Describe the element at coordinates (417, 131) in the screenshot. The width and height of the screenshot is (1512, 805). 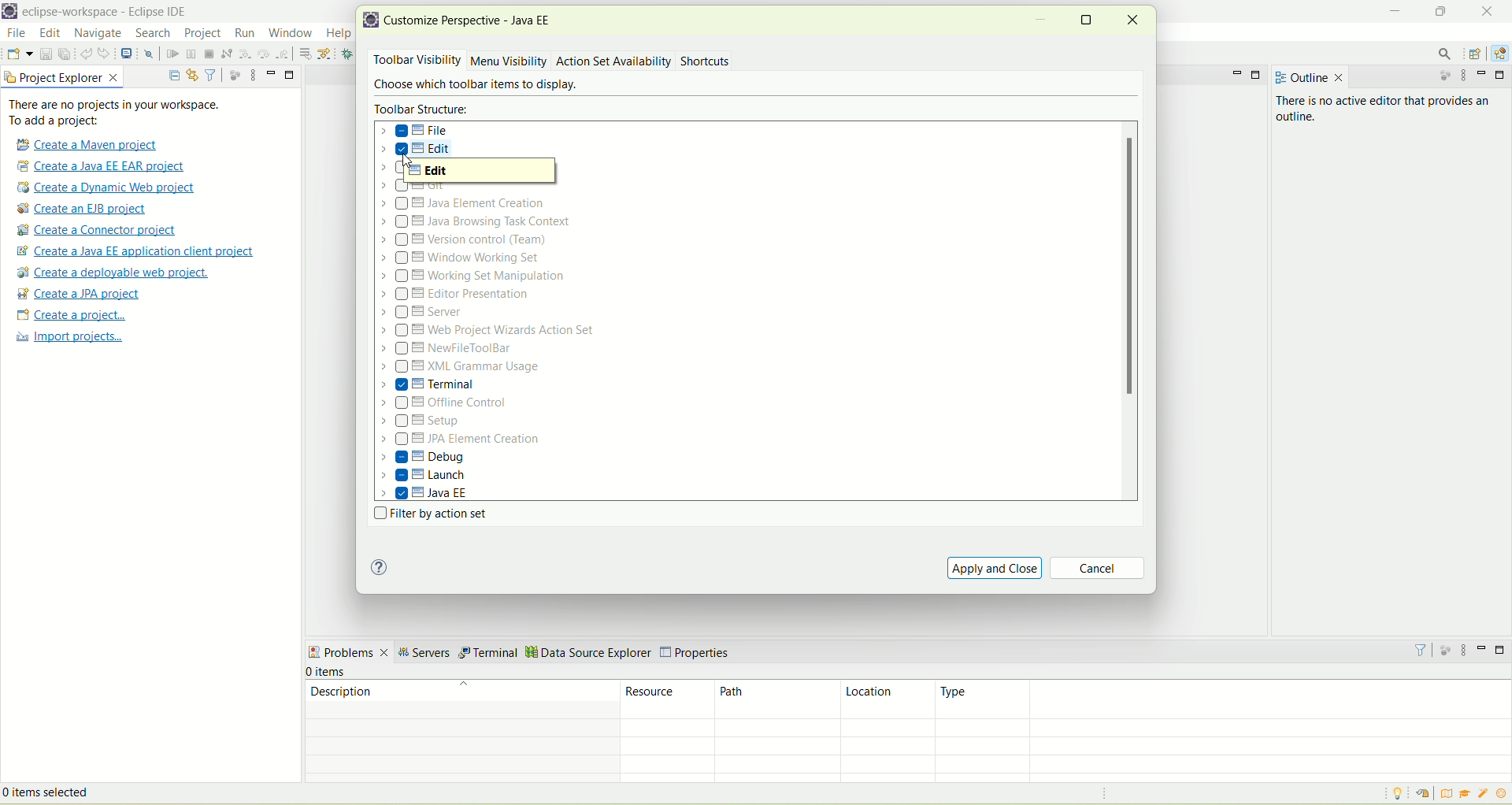
I see `file` at that location.